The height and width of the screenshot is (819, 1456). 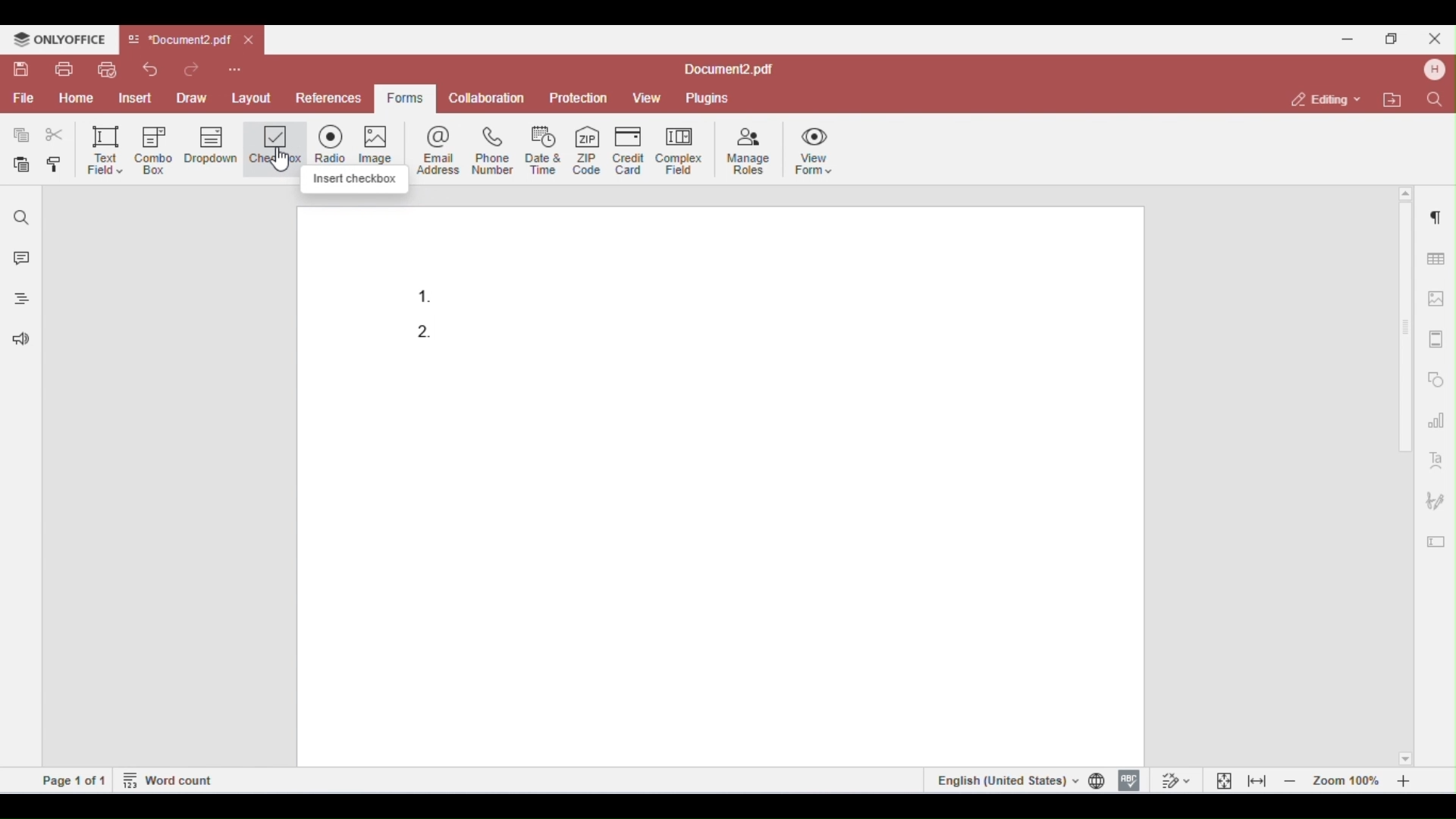 What do you see at coordinates (74, 780) in the screenshot?
I see `page 1 of 1` at bounding box center [74, 780].